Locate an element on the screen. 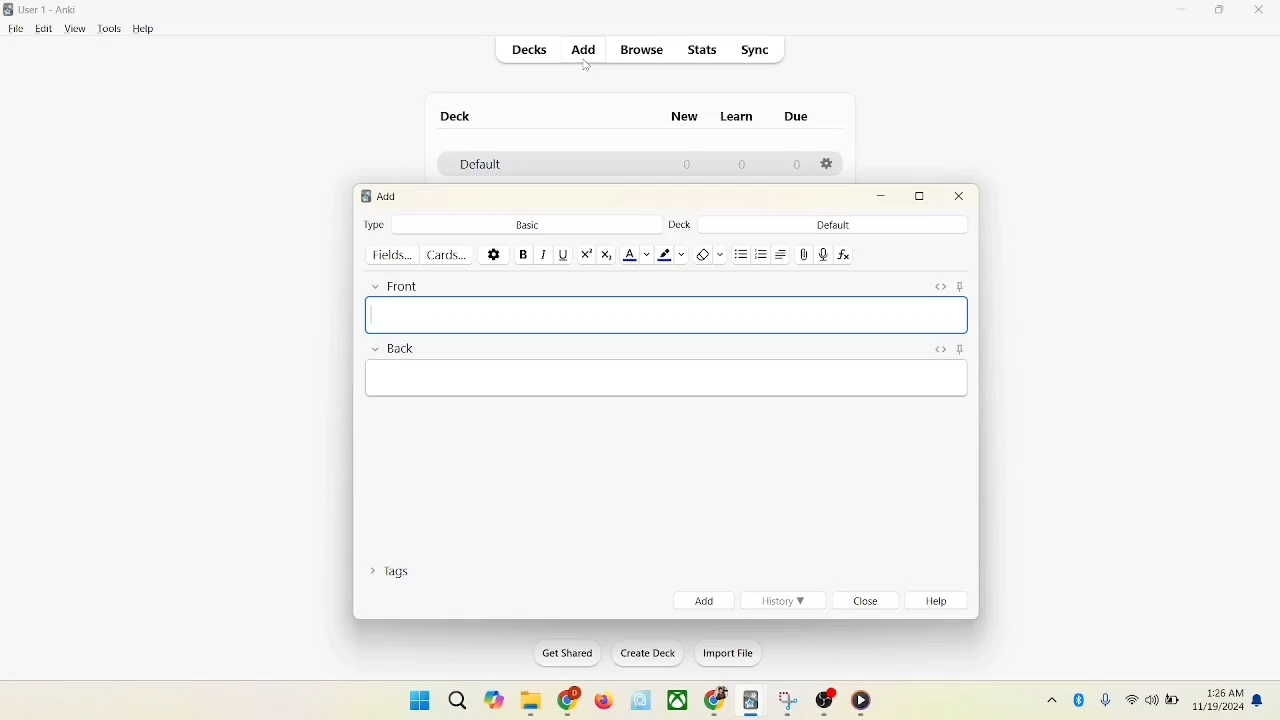 This screenshot has width=1280, height=720. logo is located at coordinates (364, 196).